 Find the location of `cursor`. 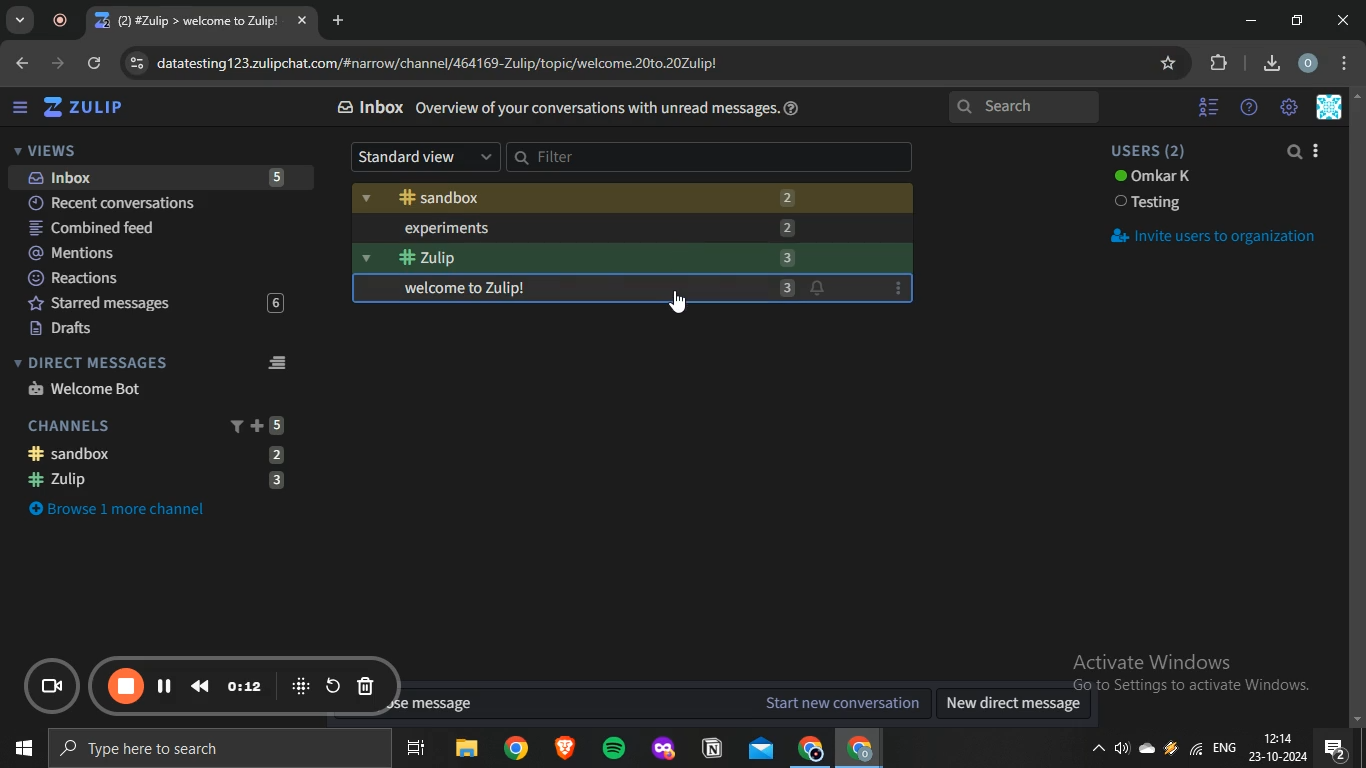

cursor is located at coordinates (675, 300).